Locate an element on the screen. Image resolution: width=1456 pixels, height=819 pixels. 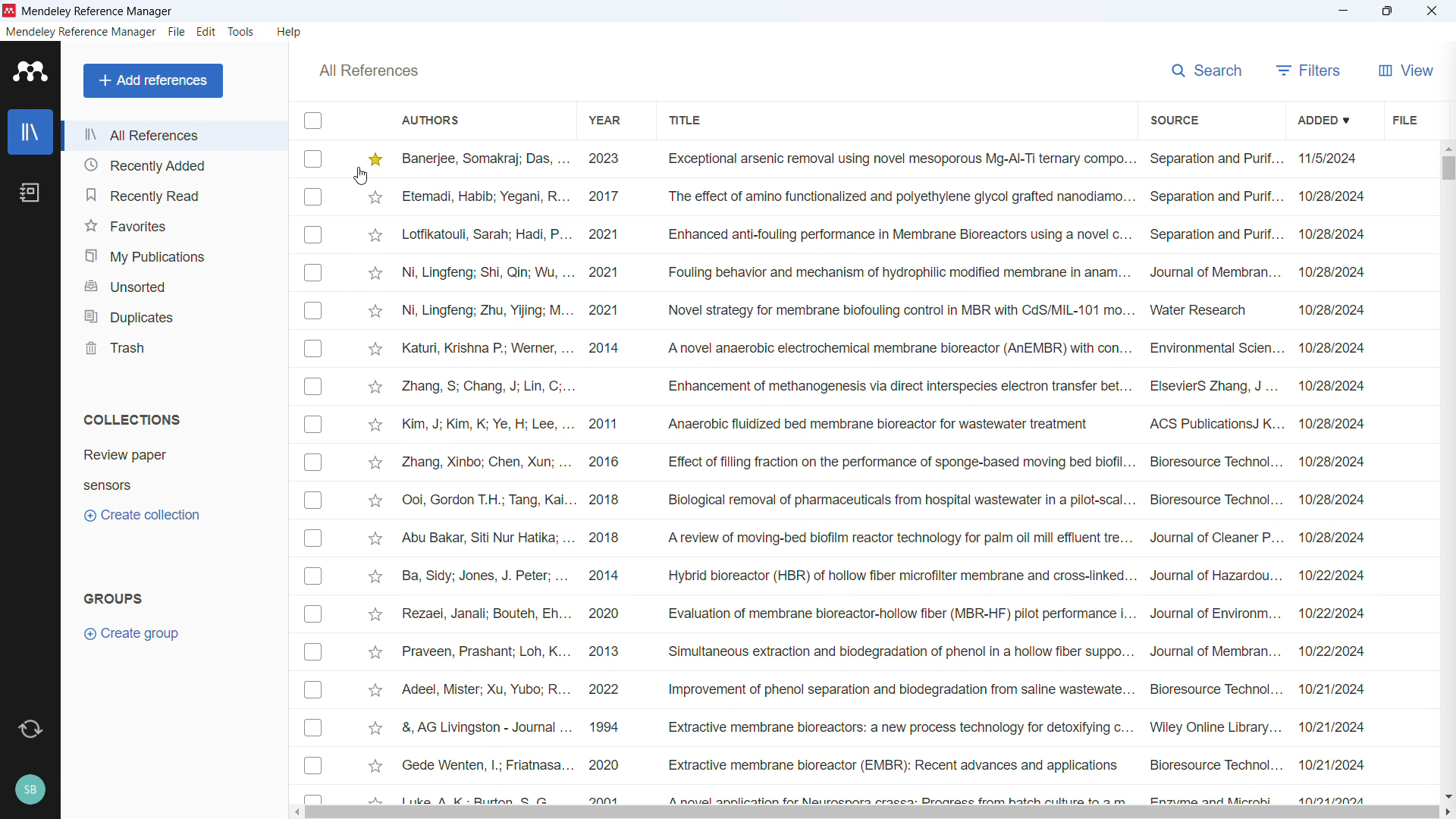
Source of individual entries  is located at coordinates (1216, 476).